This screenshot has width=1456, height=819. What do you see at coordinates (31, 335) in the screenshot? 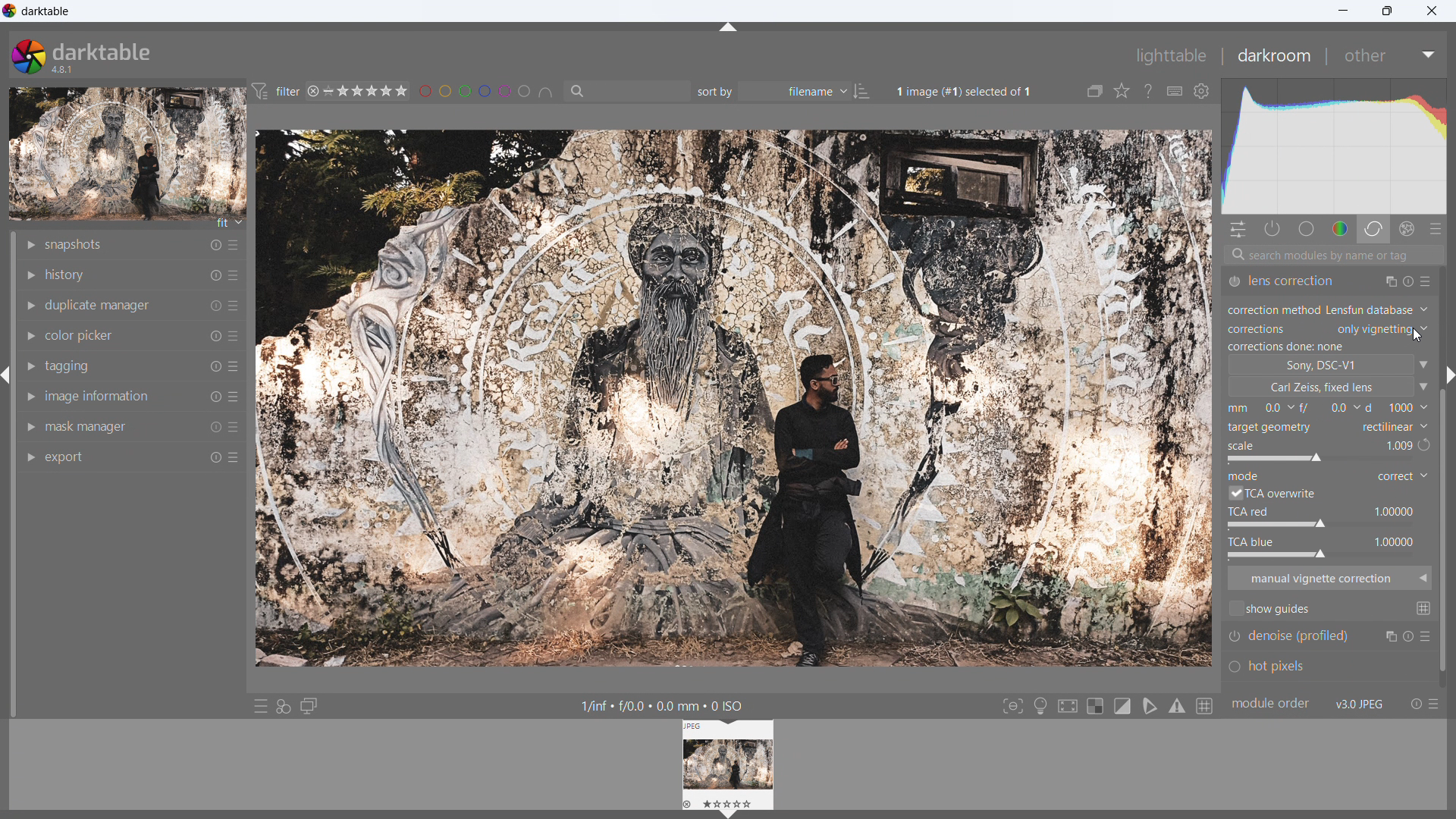
I see `show module` at bounding box center [31, 335].